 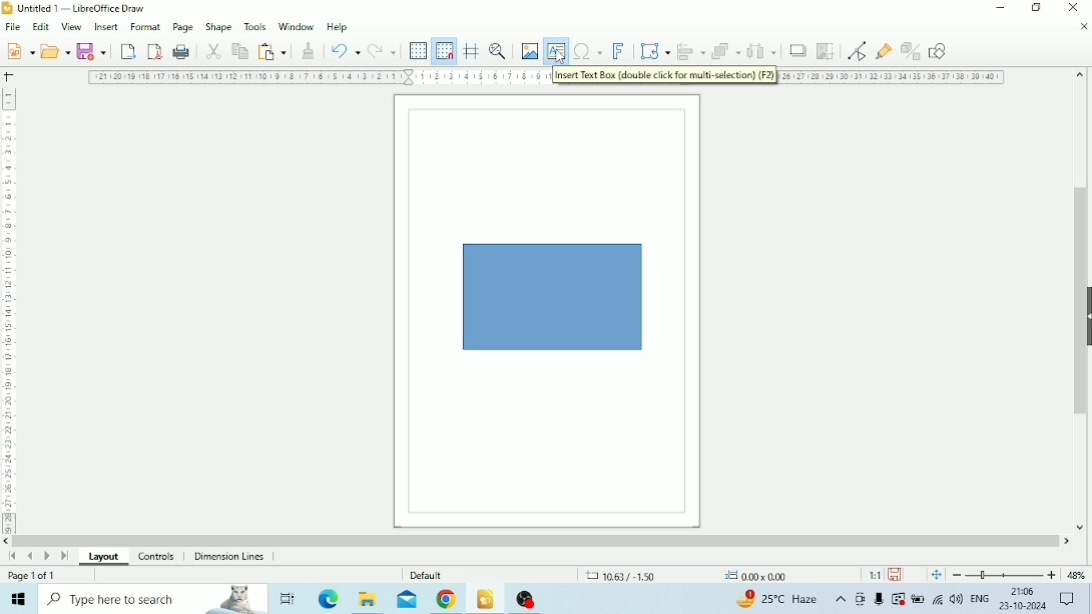 I want to click on Toggle Extrusion, so click(x=910, y=51).